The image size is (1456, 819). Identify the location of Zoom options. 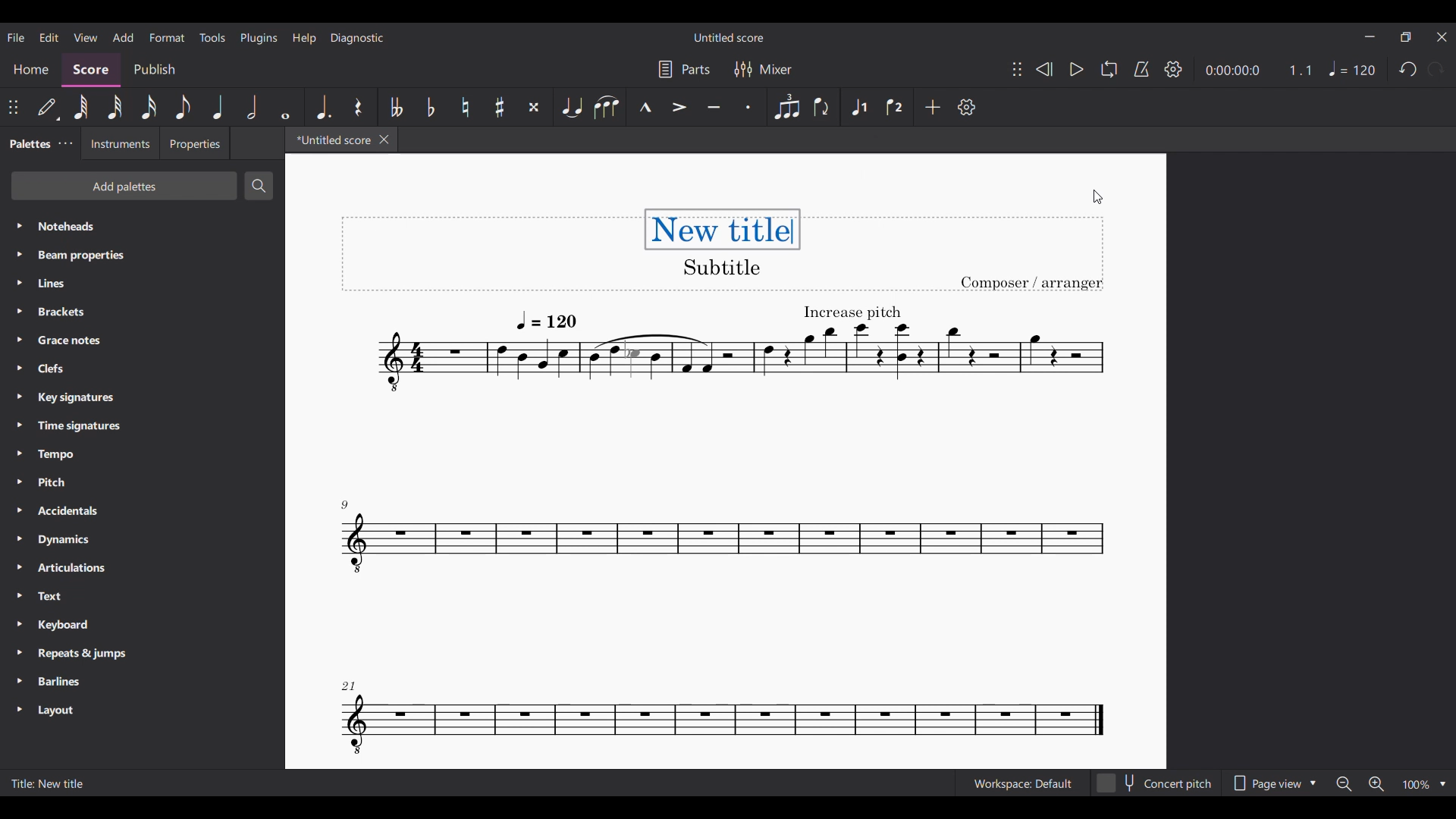
(1425, 784).